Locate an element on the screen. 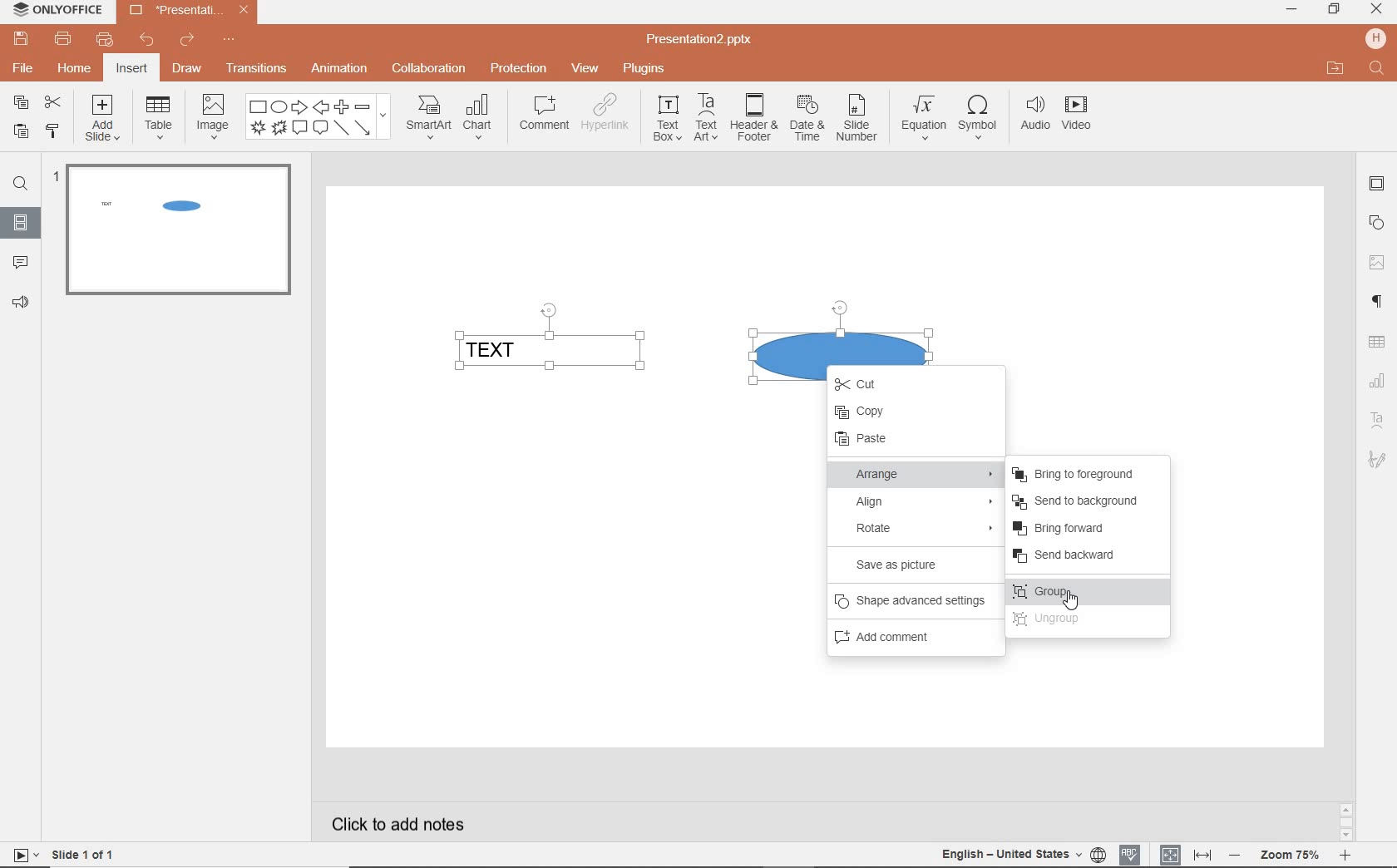 The width and height of the screenshot is (1397, 868). IMAGE SETTINGS is located at coordinates (1377, 262).